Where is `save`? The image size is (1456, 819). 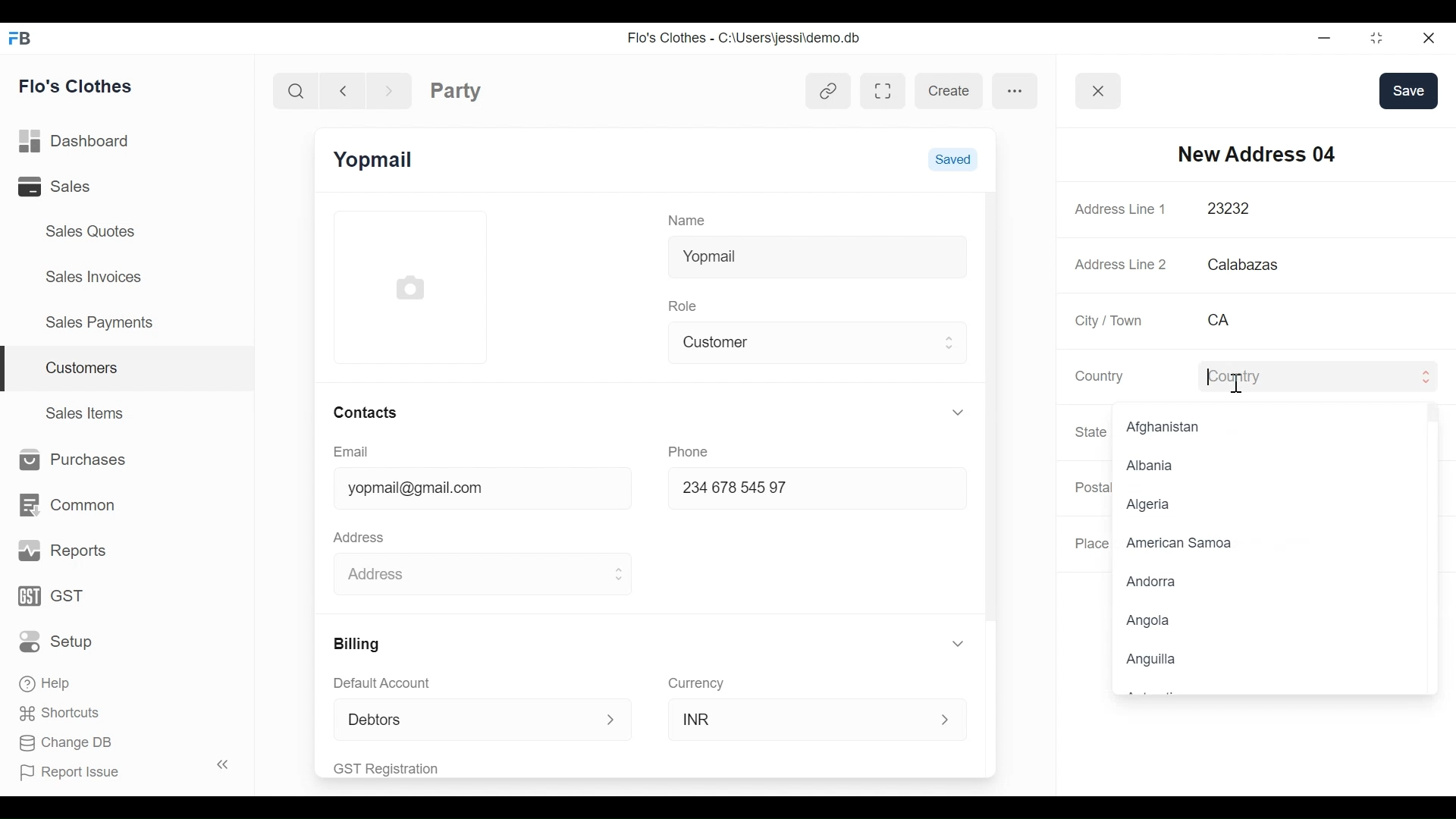
save is located at coordinates (1408, 90).